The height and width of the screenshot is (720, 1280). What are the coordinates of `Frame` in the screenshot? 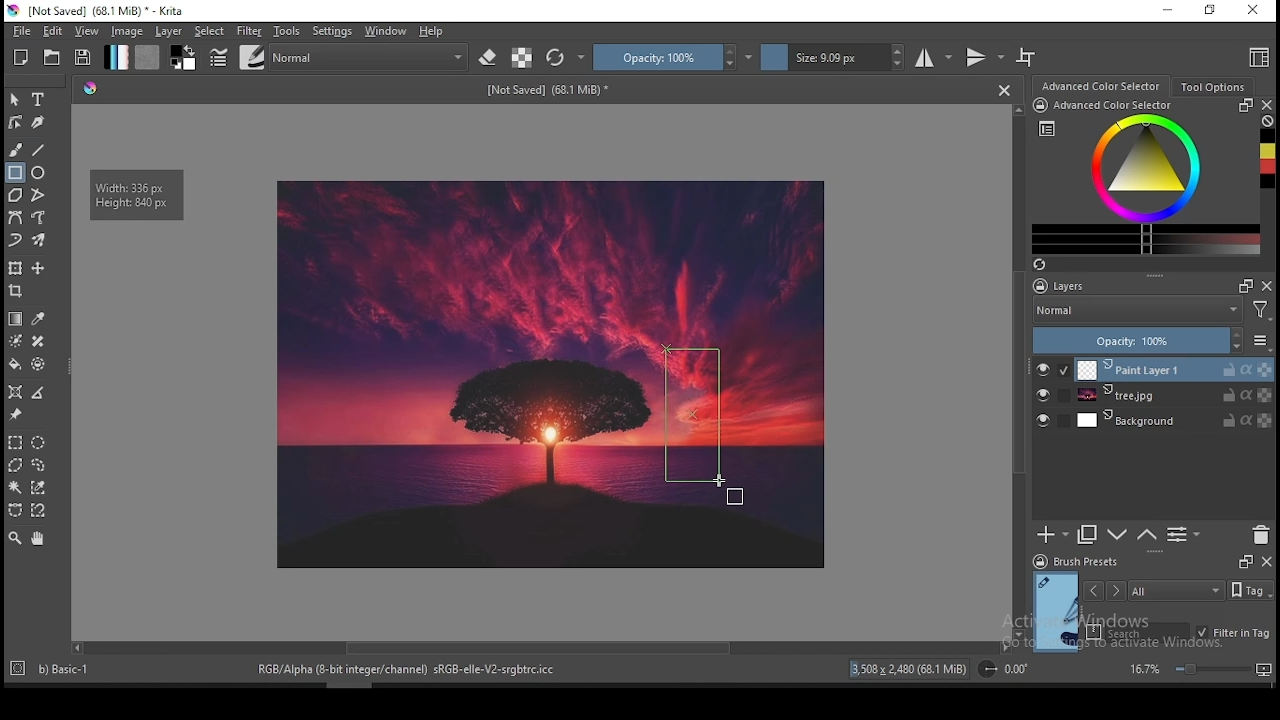 It's located at (1245, 286).